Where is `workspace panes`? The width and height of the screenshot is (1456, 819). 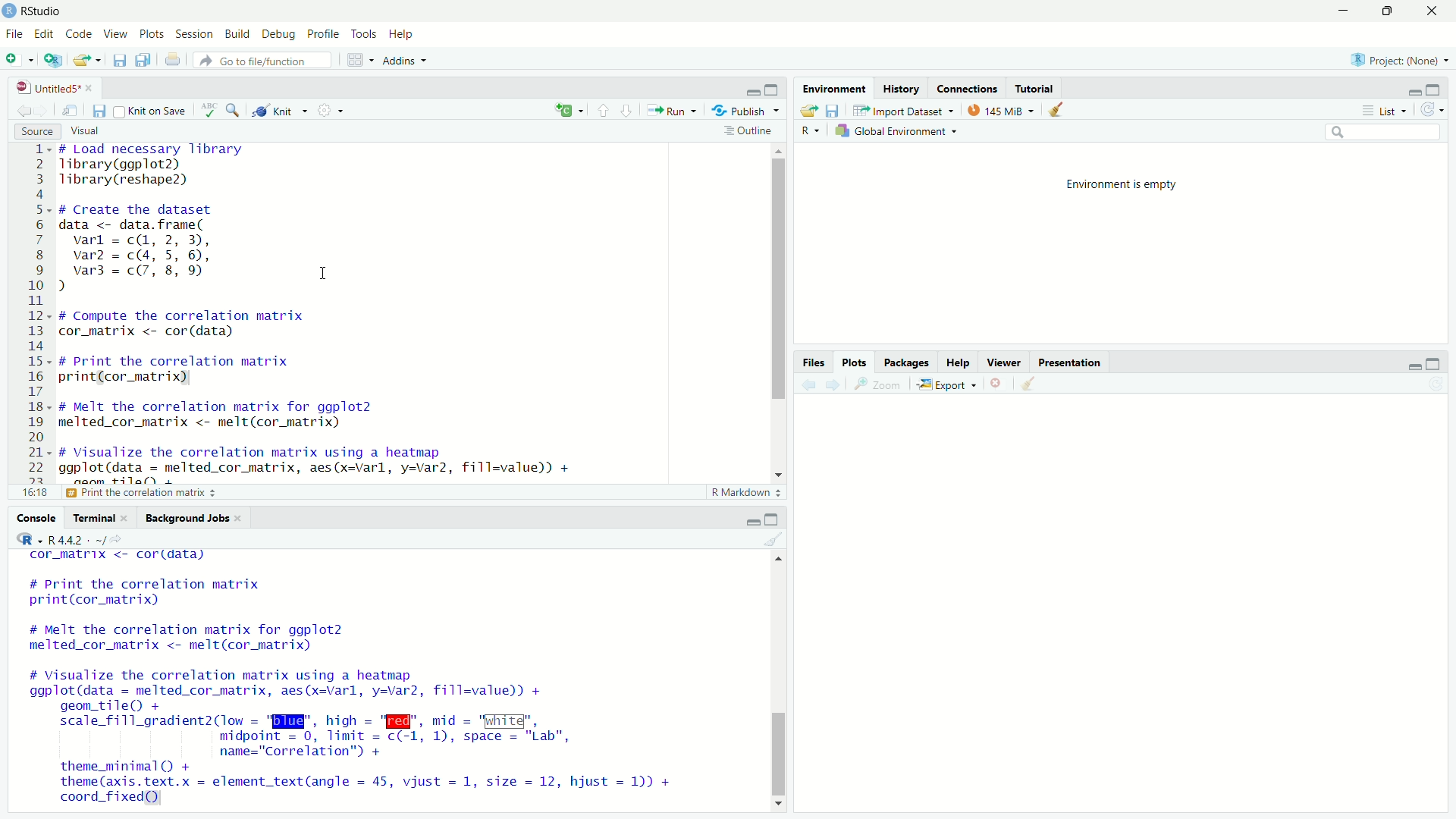
workspace panes is located at coordinates (356, 60).